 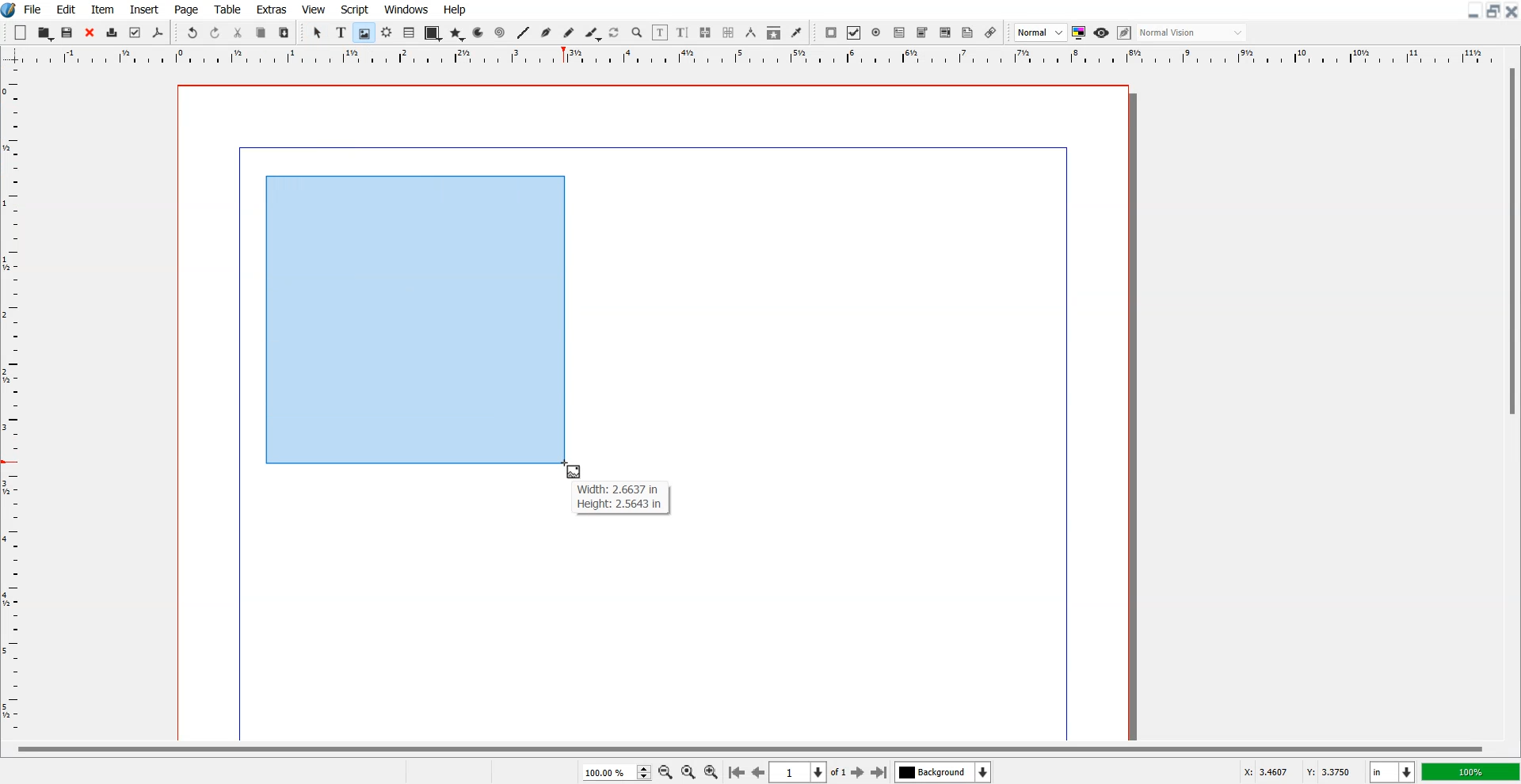 I want to click on Go to Next Page, so click(x=860, y=773).